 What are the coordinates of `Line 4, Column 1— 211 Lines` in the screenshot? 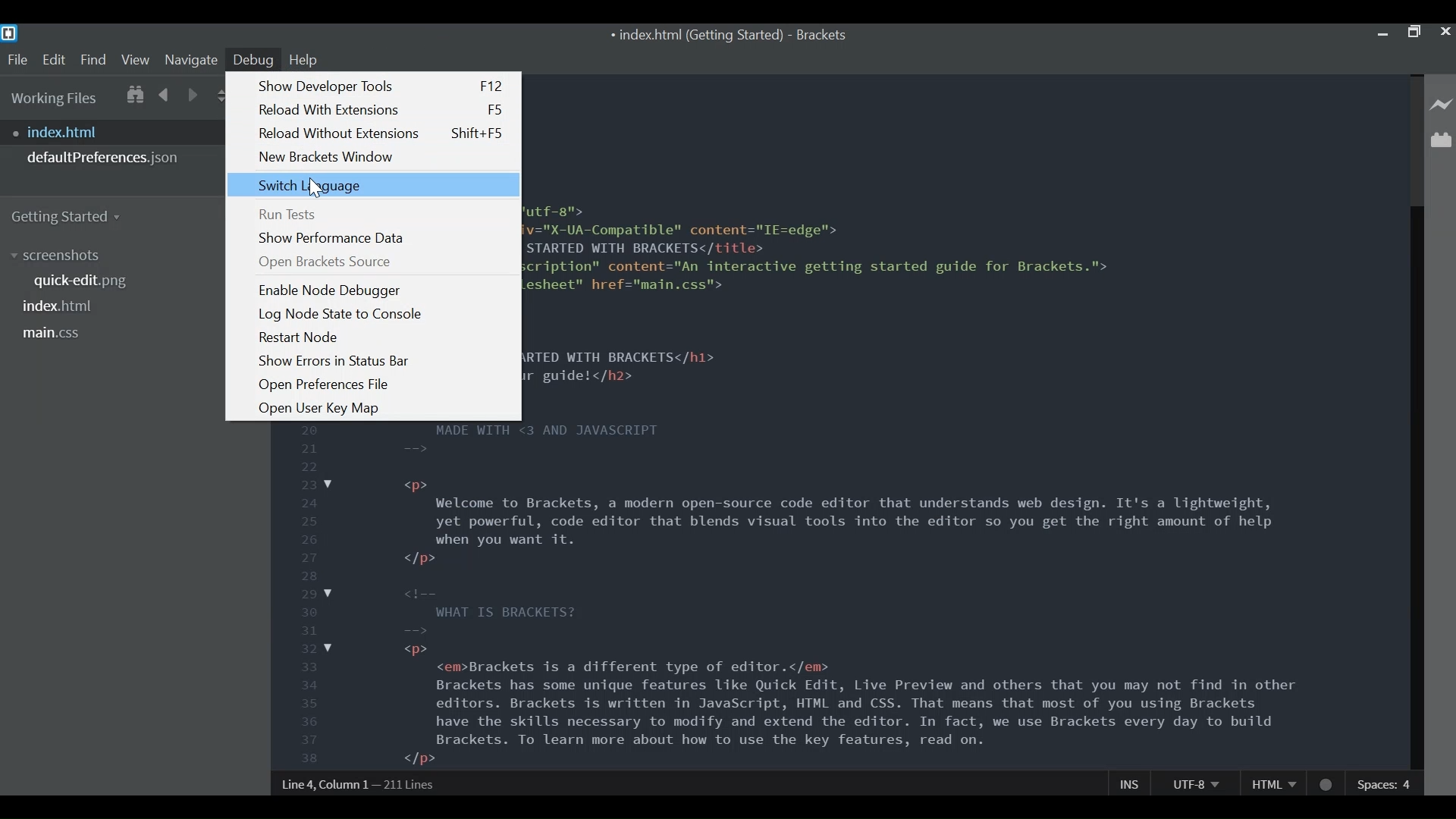 It's located at (359, 784).